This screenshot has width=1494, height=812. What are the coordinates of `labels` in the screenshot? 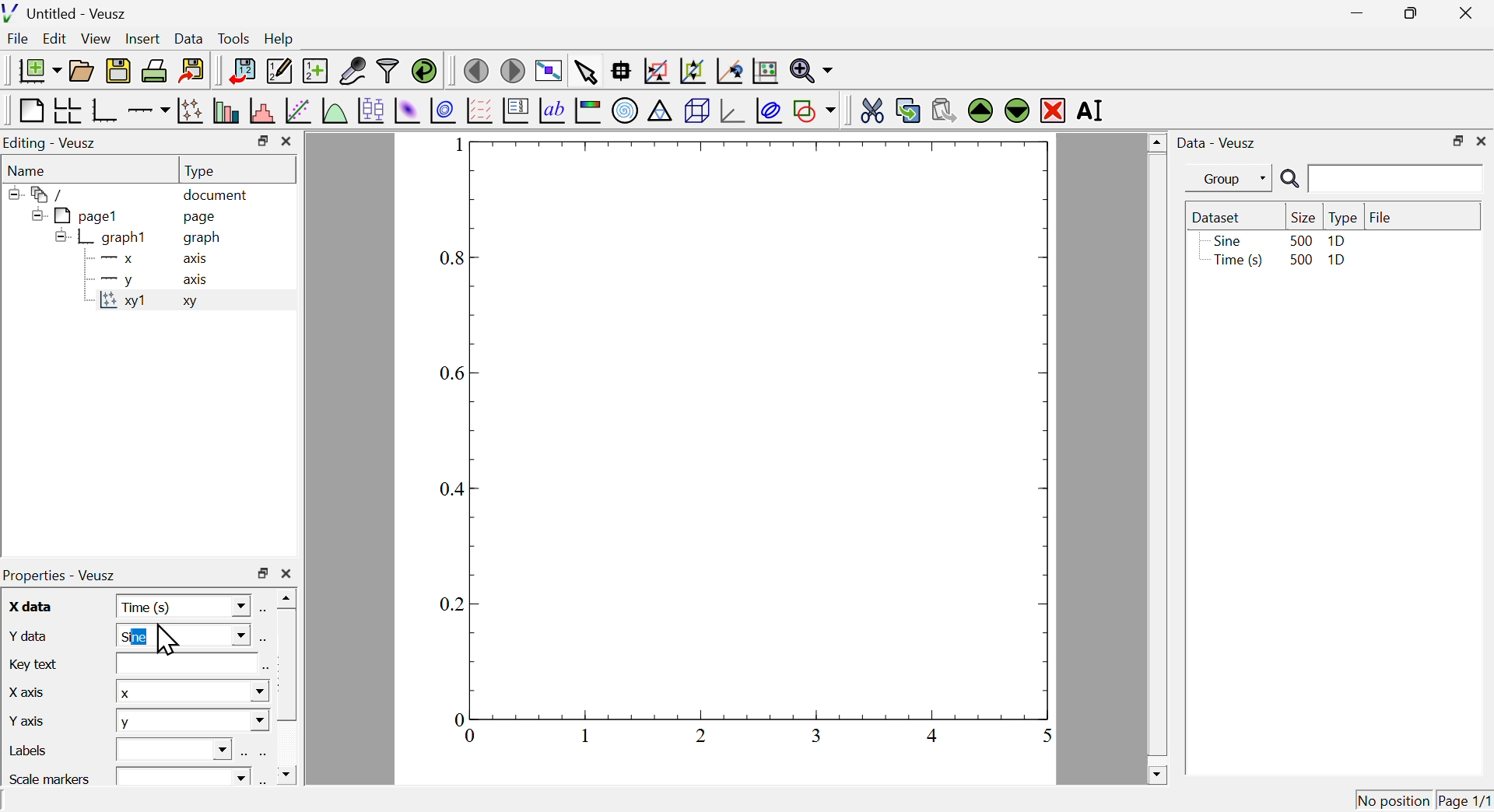 It's located at (31, 751).